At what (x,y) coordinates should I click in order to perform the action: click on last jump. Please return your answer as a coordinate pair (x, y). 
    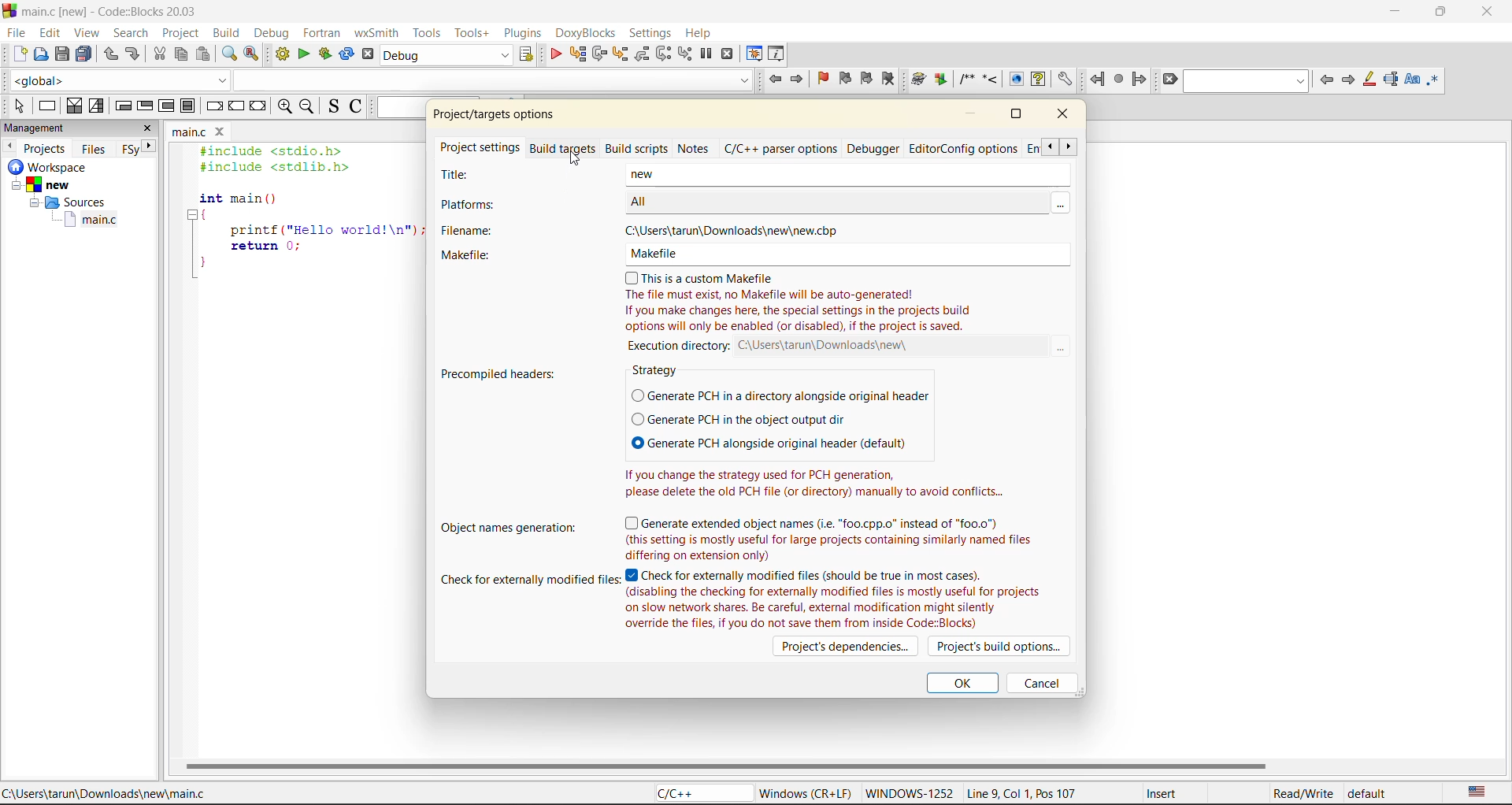
    Looking at the image, I should click on (1118, 80).